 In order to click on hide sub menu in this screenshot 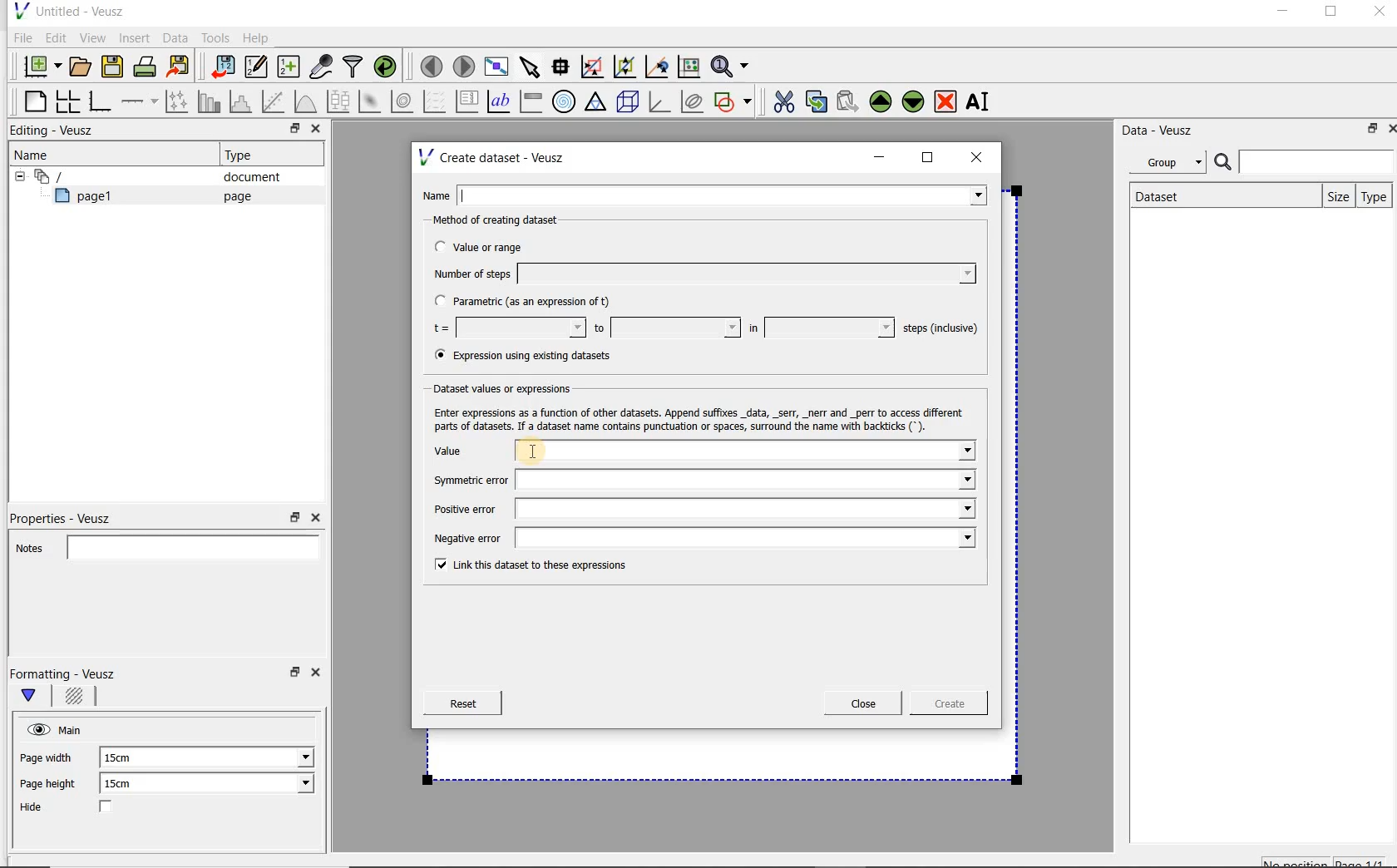, I will do `click(16, 175)`.